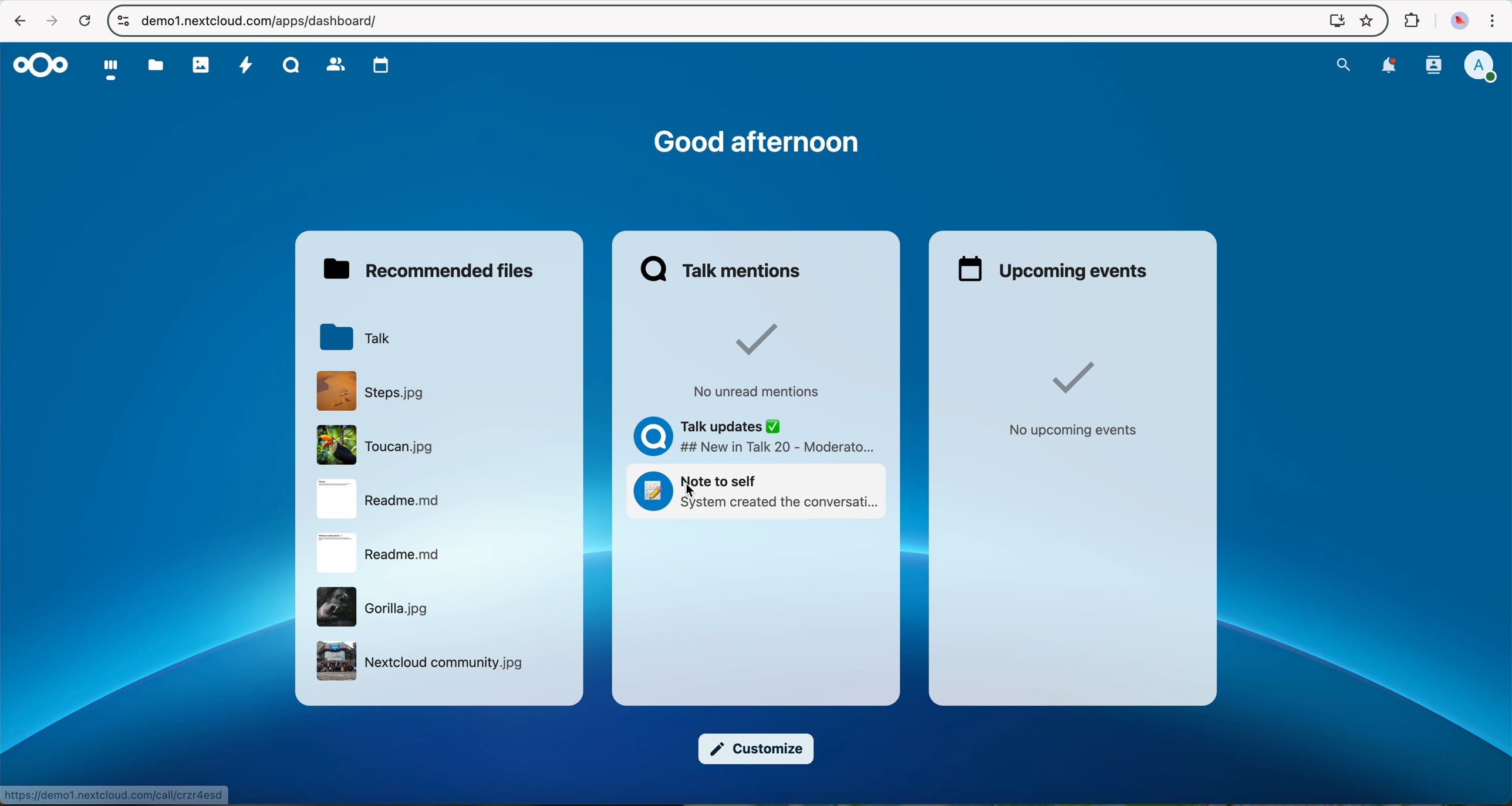 The image size is (1512, 806). What do you see at coordinates (1493, 21) in the screenshot?
I see `customize and control Google Chrome` at bounding box center [1493, 21].